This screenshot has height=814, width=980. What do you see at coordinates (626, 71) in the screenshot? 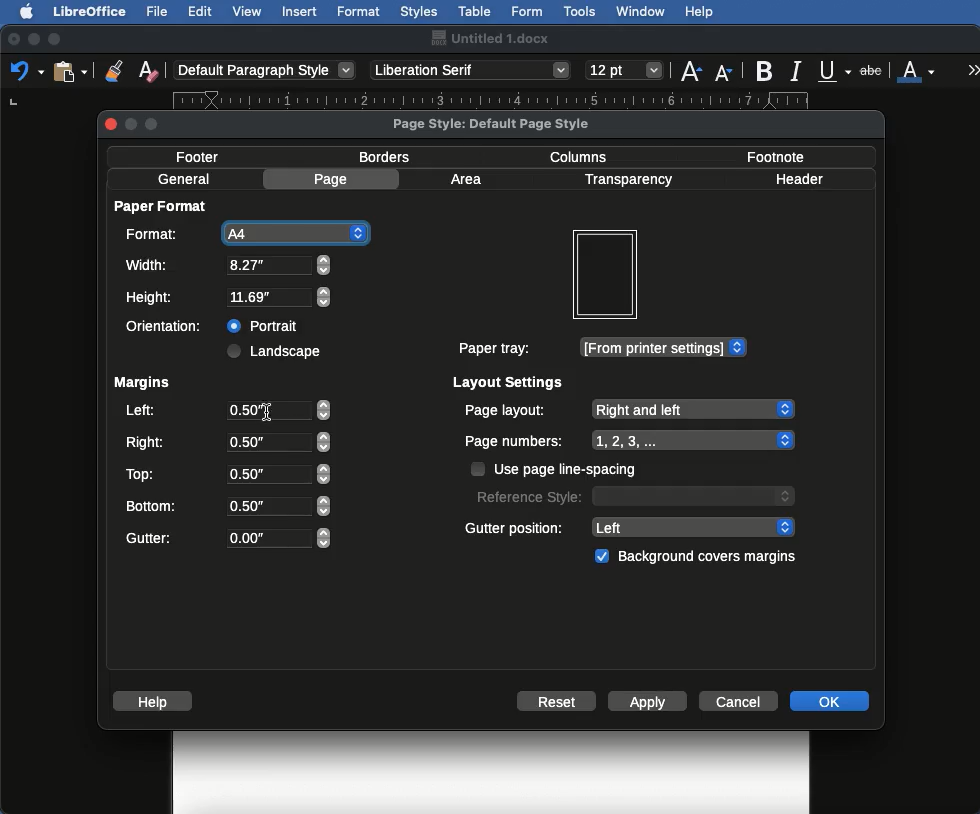
I see `Size` at bounding box center [626, 71].